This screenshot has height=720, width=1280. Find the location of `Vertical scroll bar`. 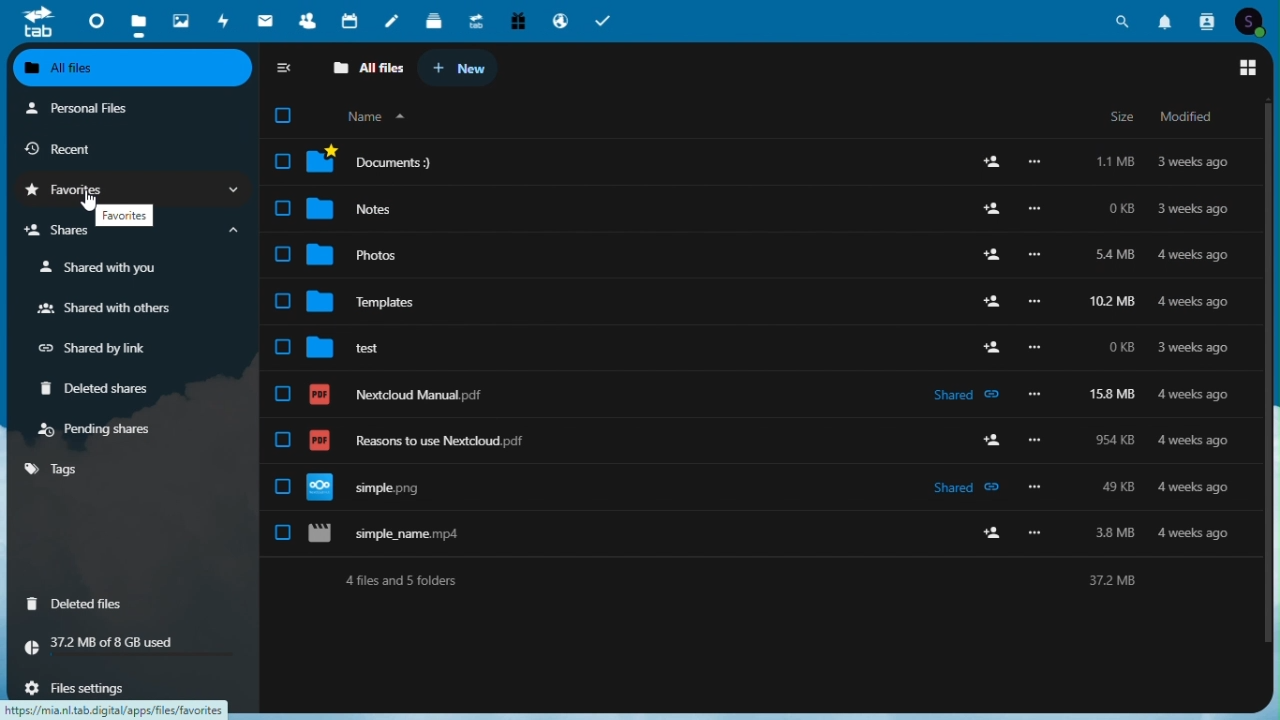

Vertical scroll bar is located at coordinates (1272, 365).